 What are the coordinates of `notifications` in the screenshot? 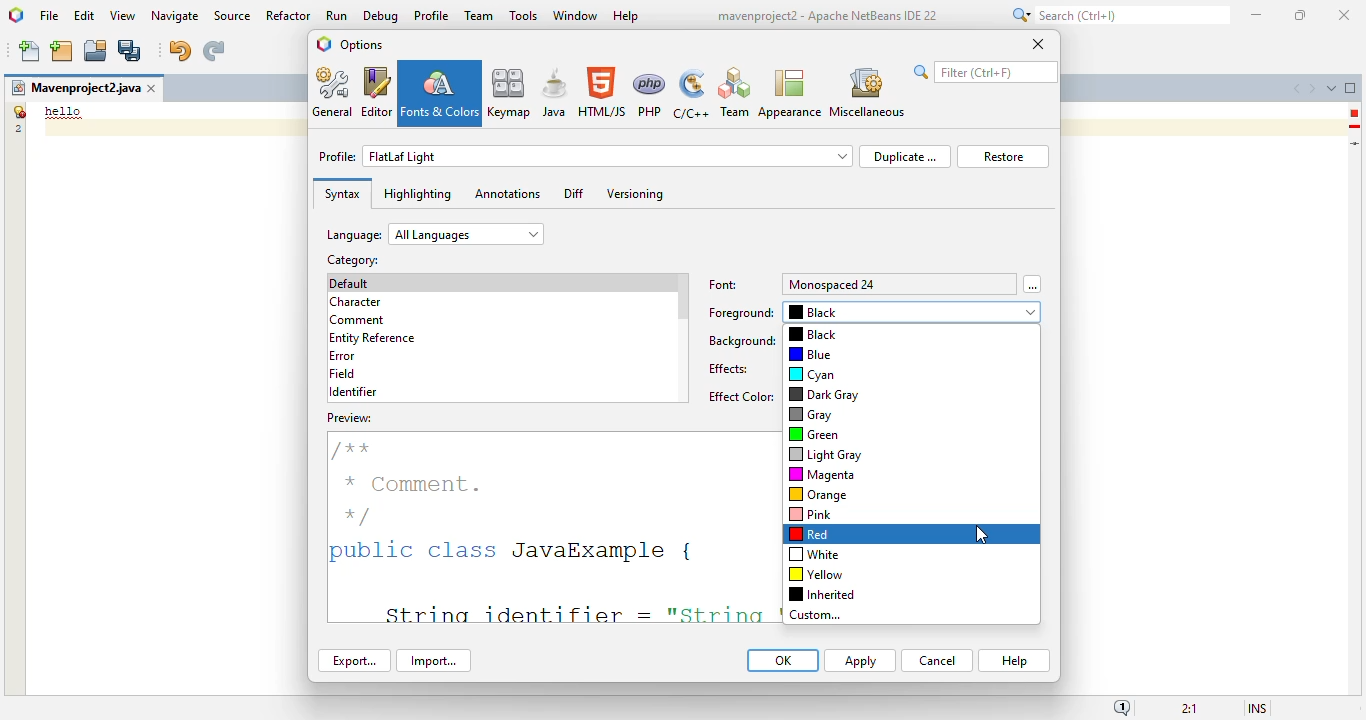 It's located at (1122, 707).